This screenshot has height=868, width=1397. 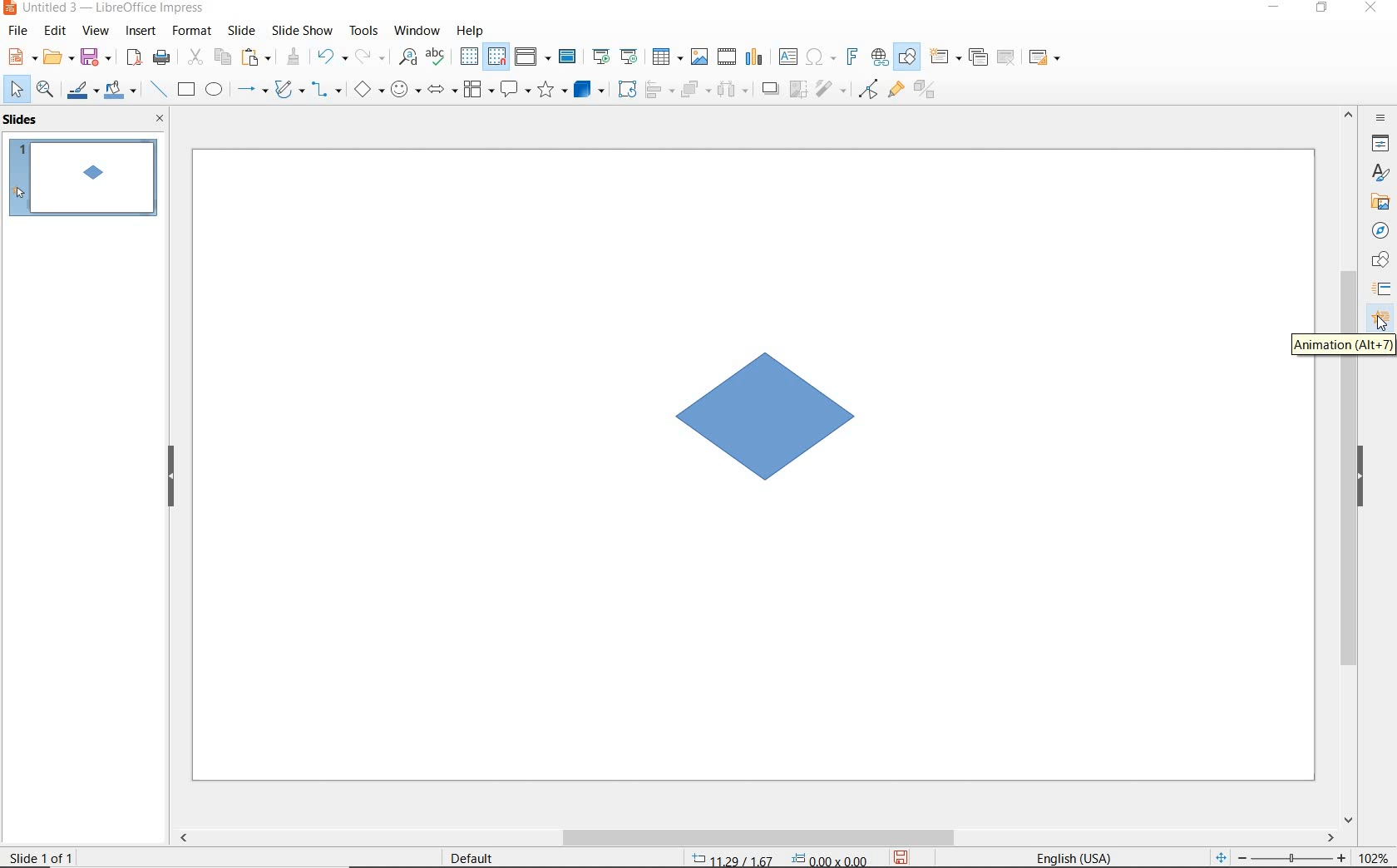 What do you see at coordinates (777, 857) in the screenshot?
I see `position and size` at bounding box center [777, 857].